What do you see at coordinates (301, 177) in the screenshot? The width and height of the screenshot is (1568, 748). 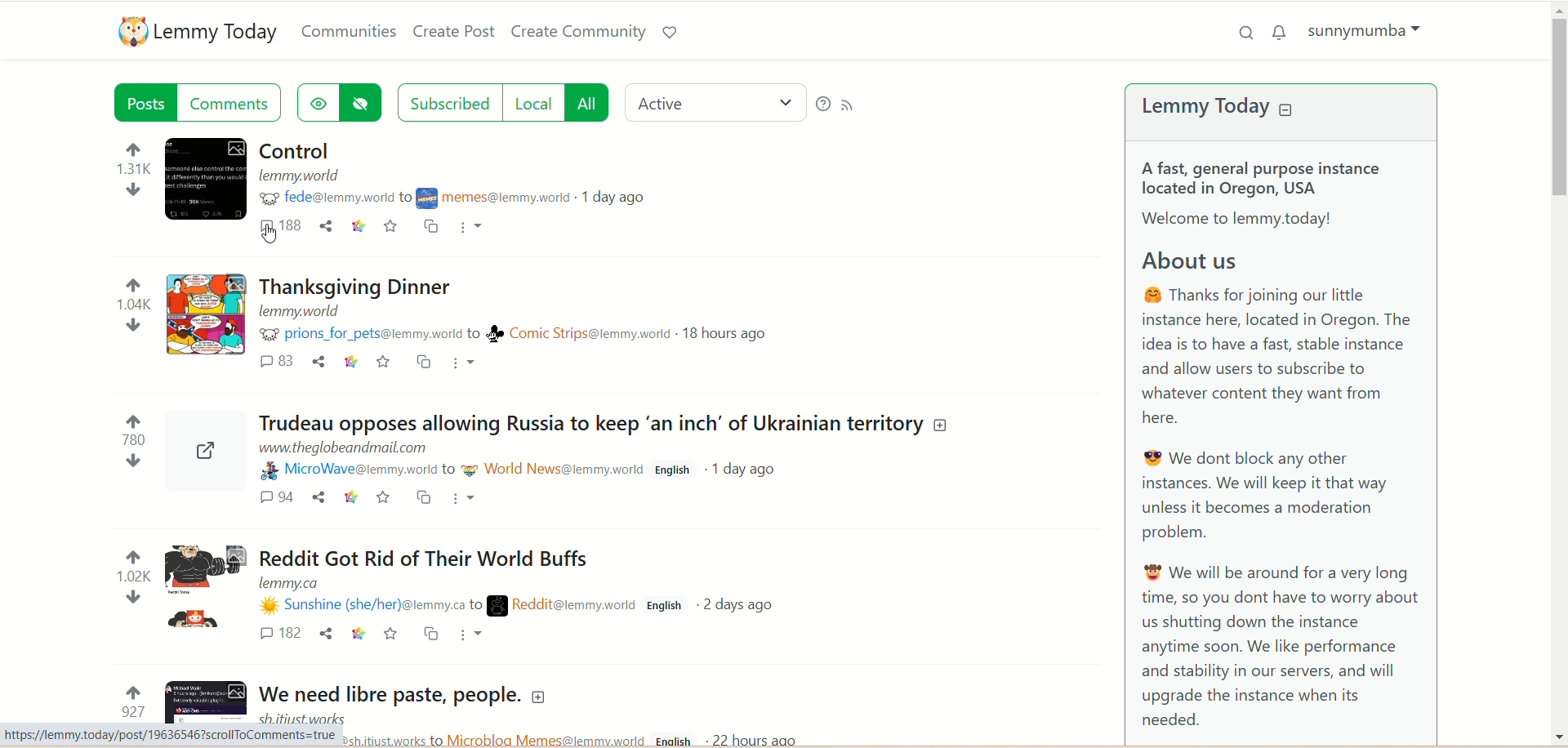 I see `URL` at bounding box center [301, 177].